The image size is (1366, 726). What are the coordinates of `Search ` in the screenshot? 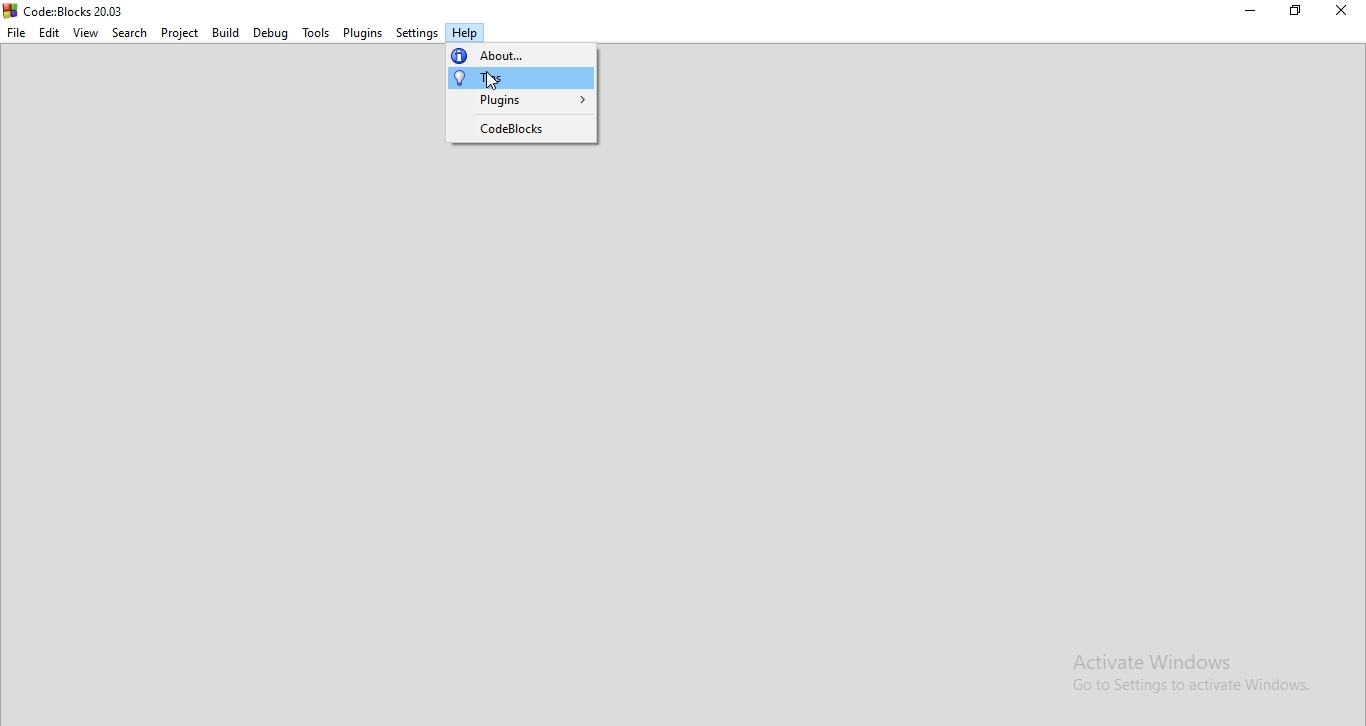 It's located at (129, 33).